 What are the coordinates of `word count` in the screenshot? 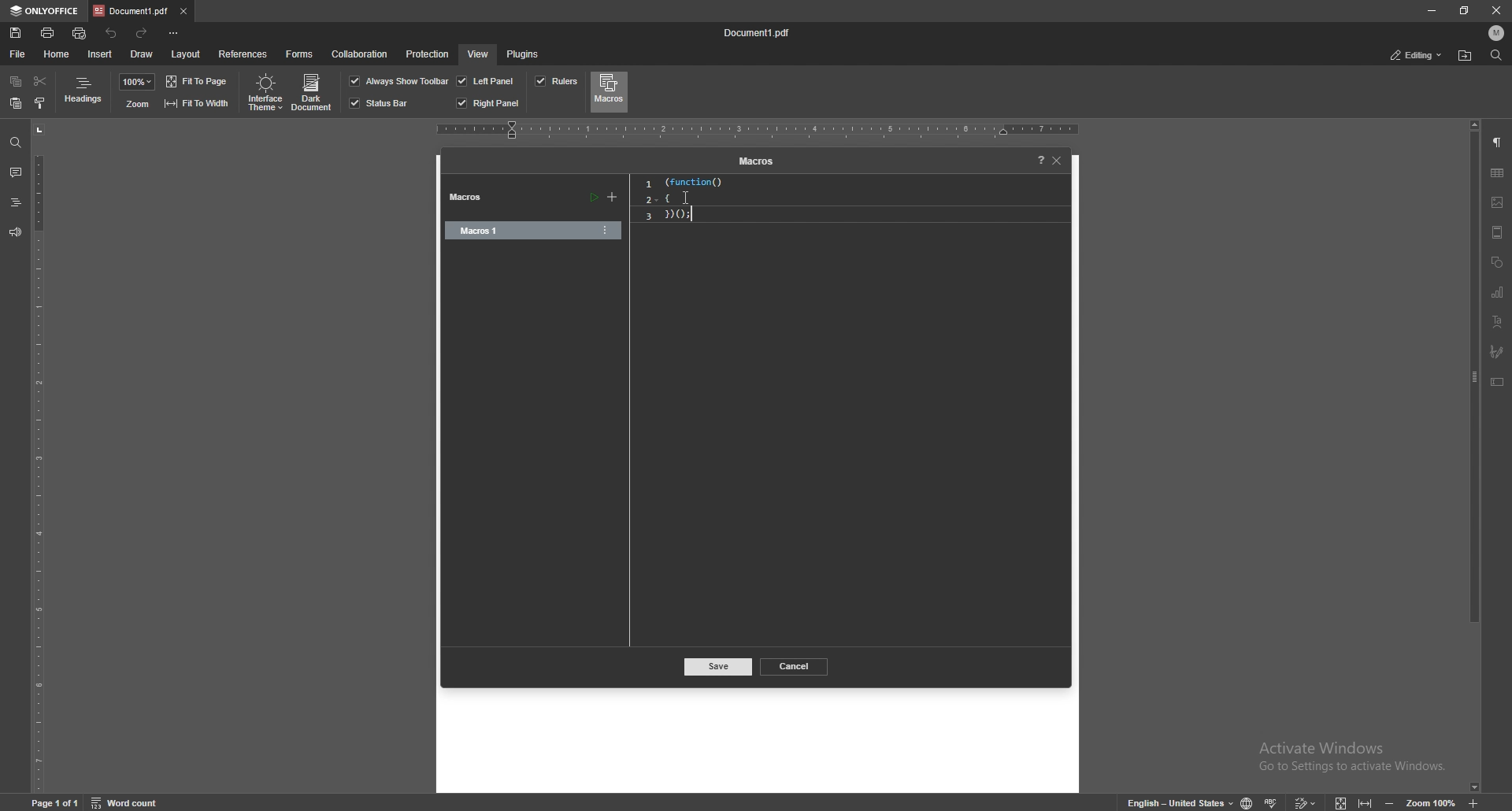 It's located at (132, 802).